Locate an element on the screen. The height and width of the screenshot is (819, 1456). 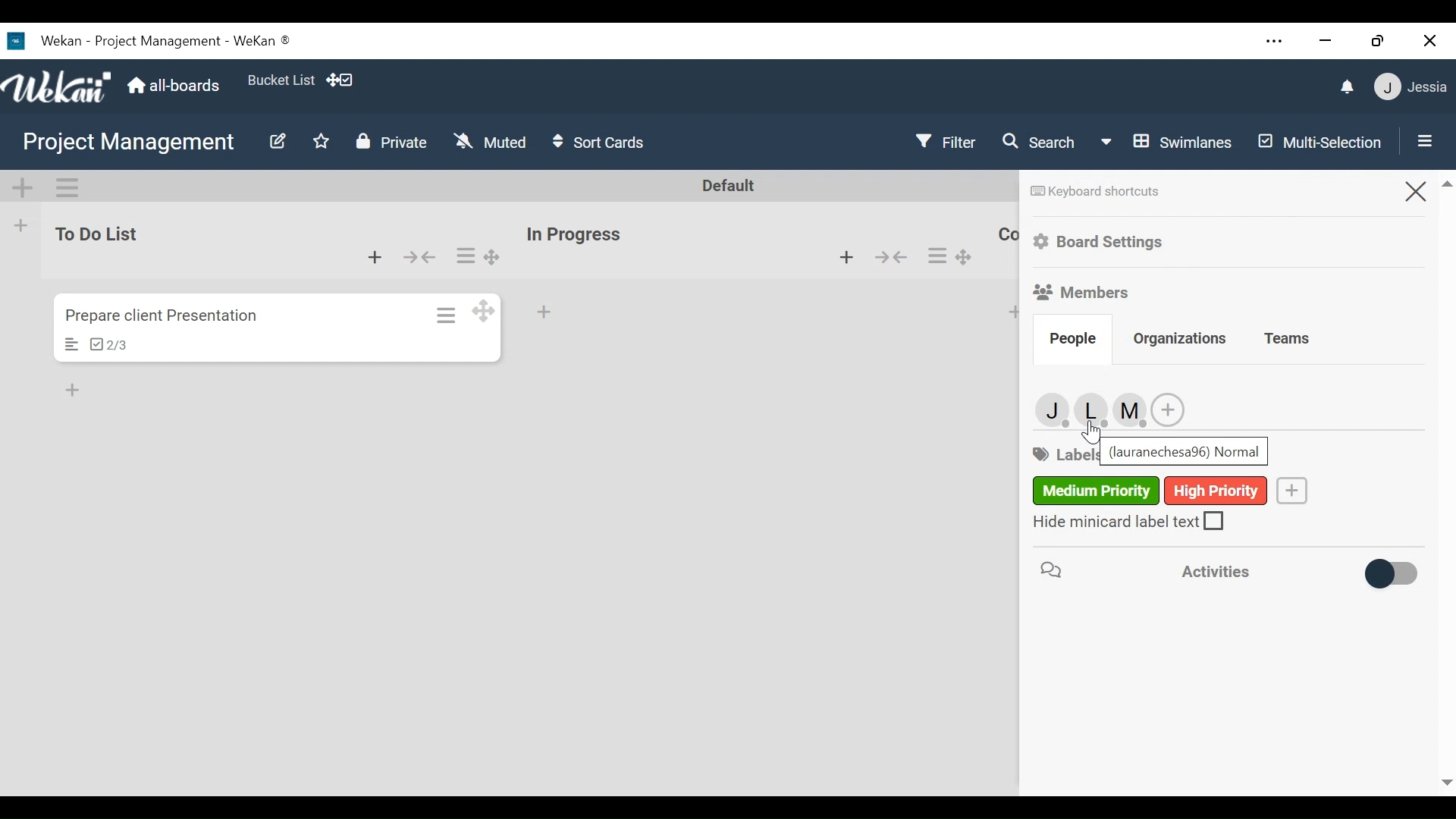
Keyboard shortcuts is located at coordinates (1095, 191).